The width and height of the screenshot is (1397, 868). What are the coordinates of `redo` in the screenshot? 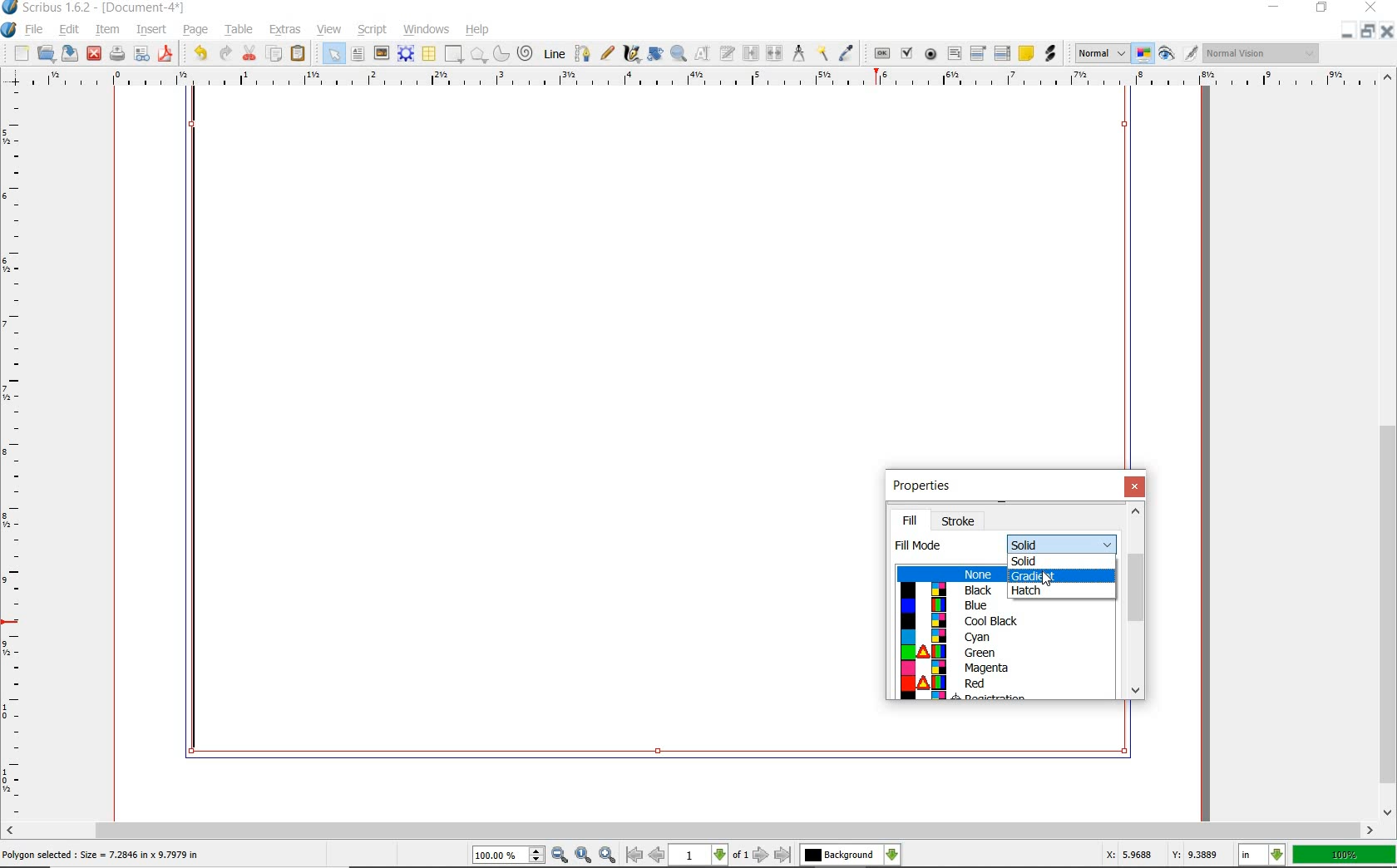 It's located at (227, 53).